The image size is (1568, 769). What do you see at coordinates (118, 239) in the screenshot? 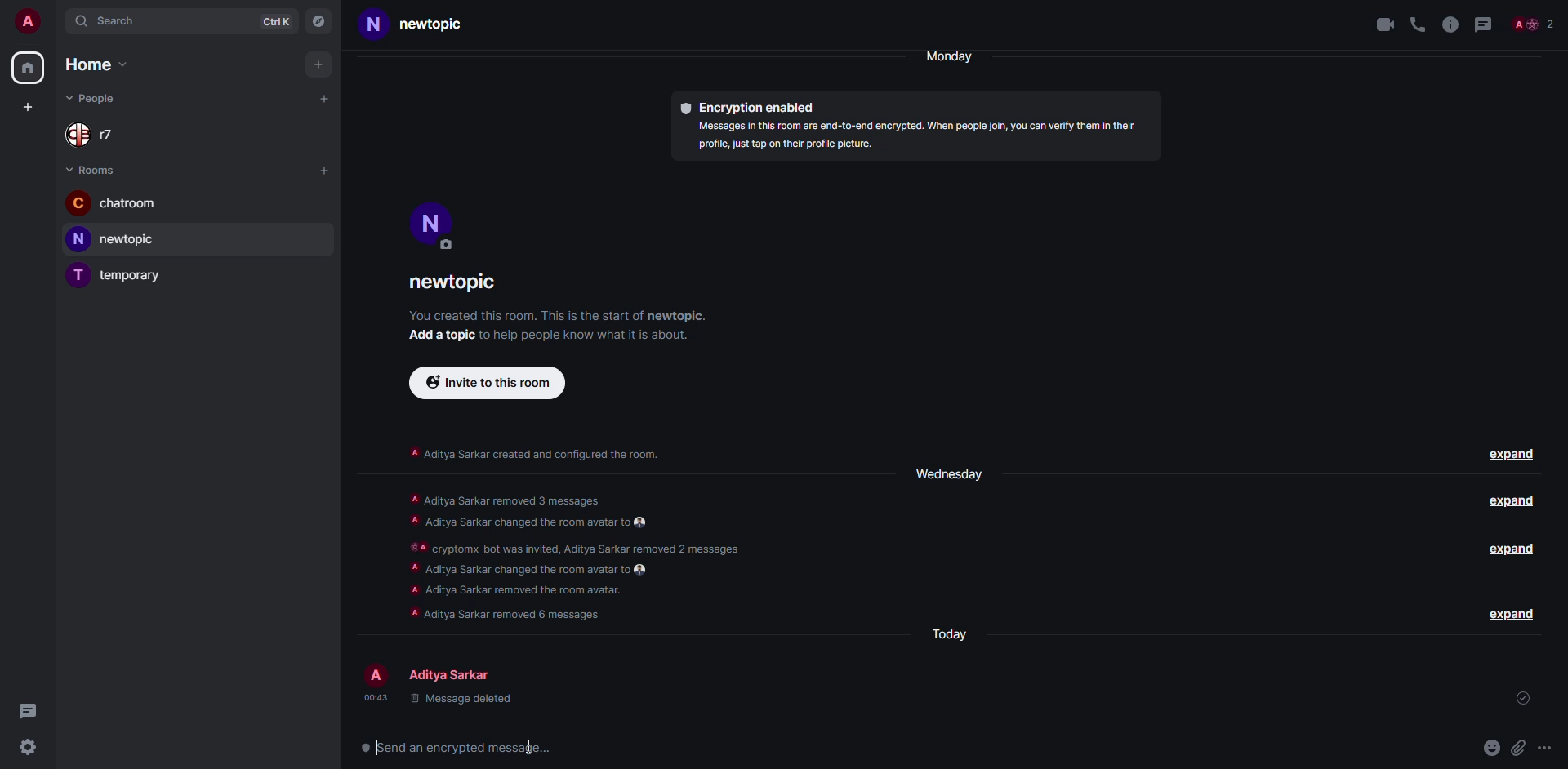
I see `room` at bounding box center [118, 239].